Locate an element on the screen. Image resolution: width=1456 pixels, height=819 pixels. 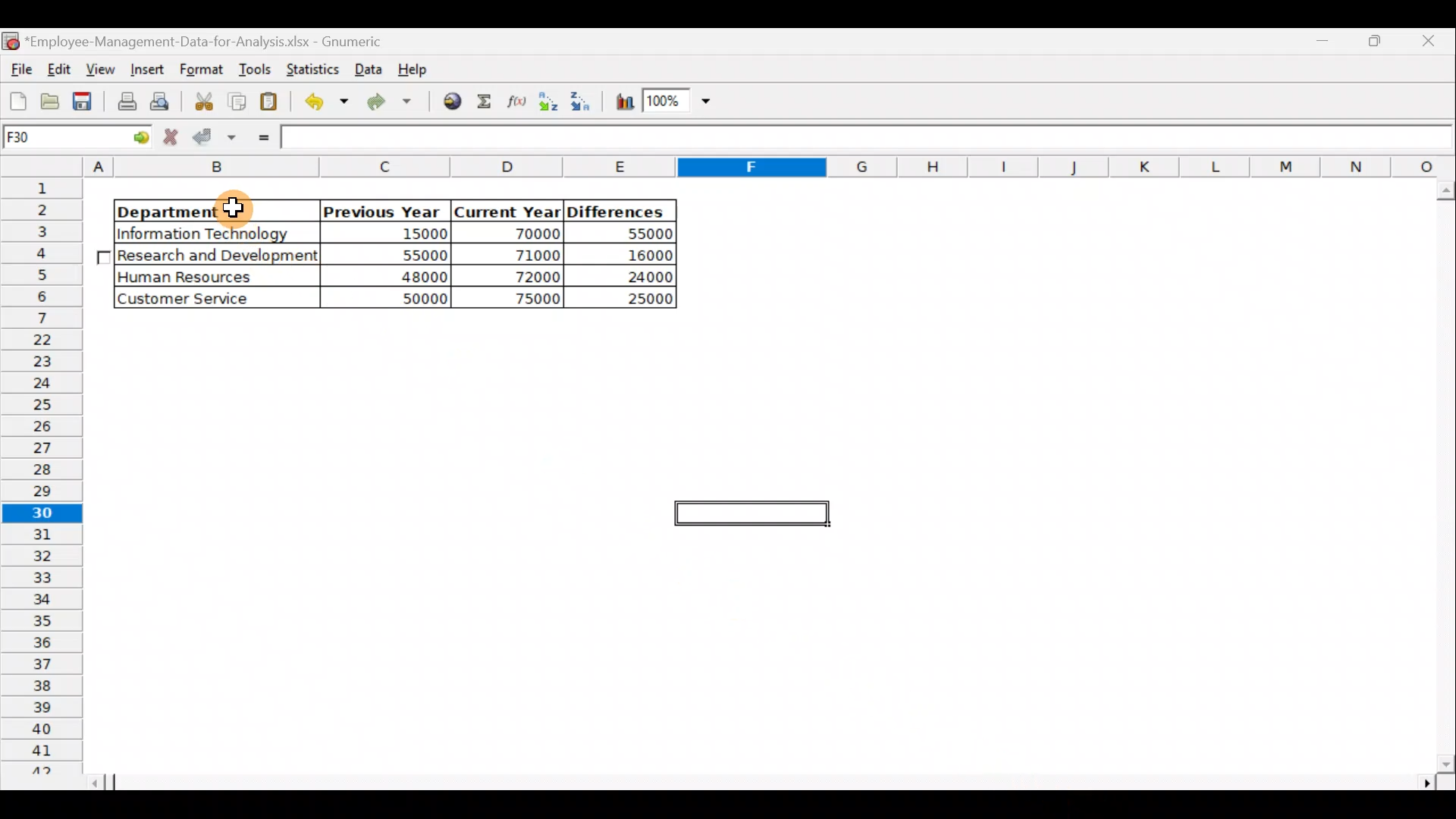
24000 is located at coordinates (632, 277).